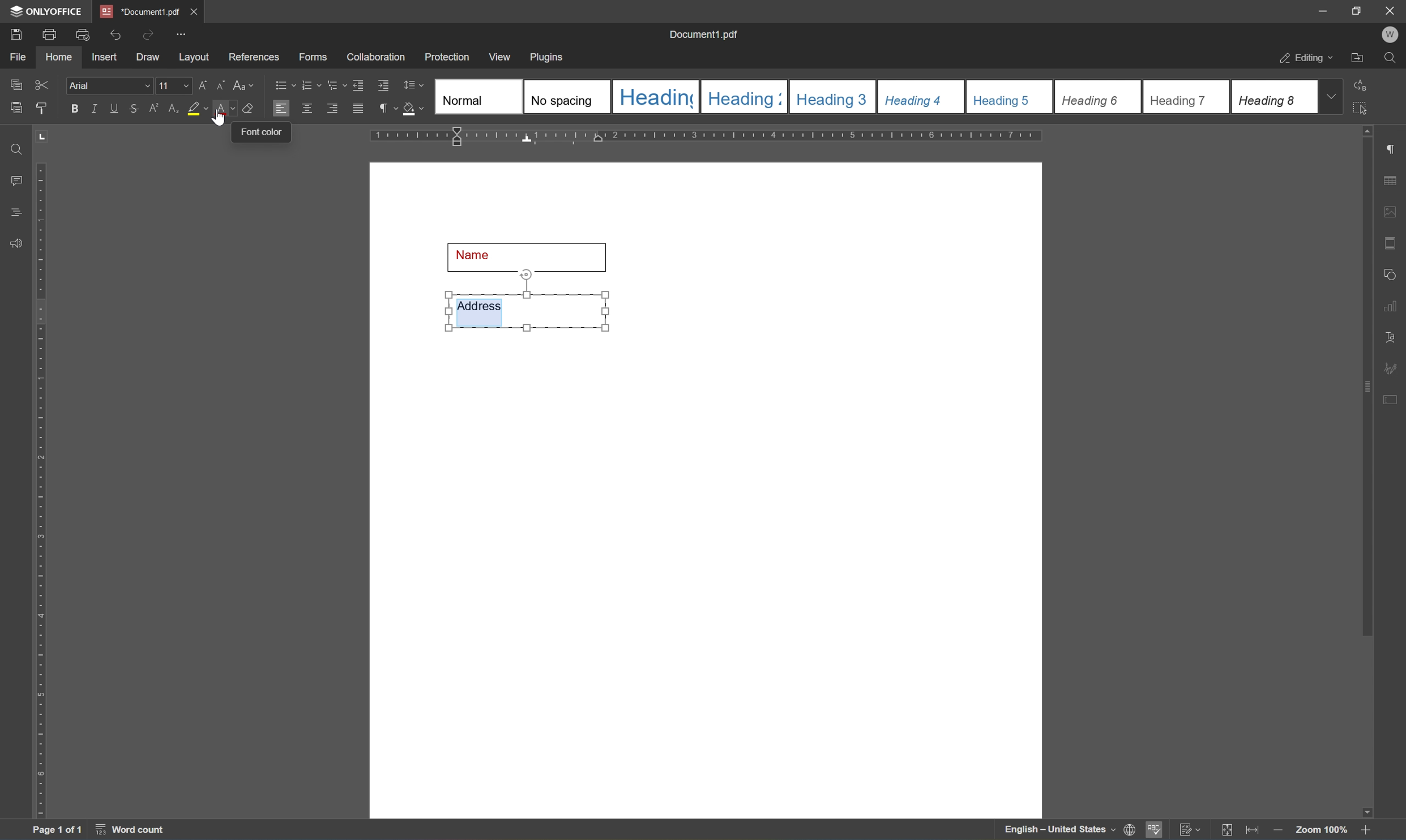 The height and width of the screenshot is (840, 1406). What do you see at coordinates (251, 109) in the screenshot?
I see `clear style` at bounding box center [251, 109].